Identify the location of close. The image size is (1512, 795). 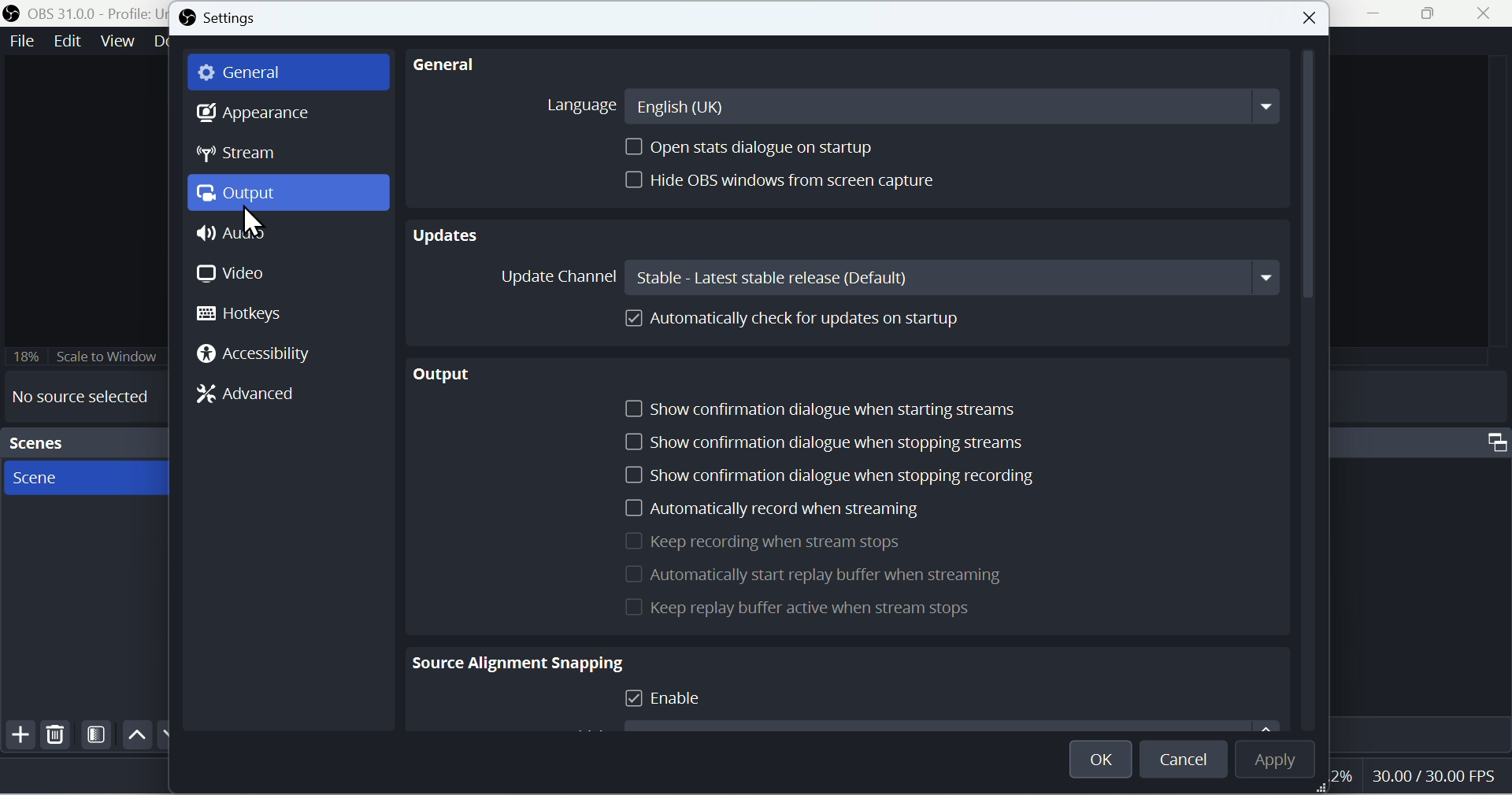
(1488, 15).